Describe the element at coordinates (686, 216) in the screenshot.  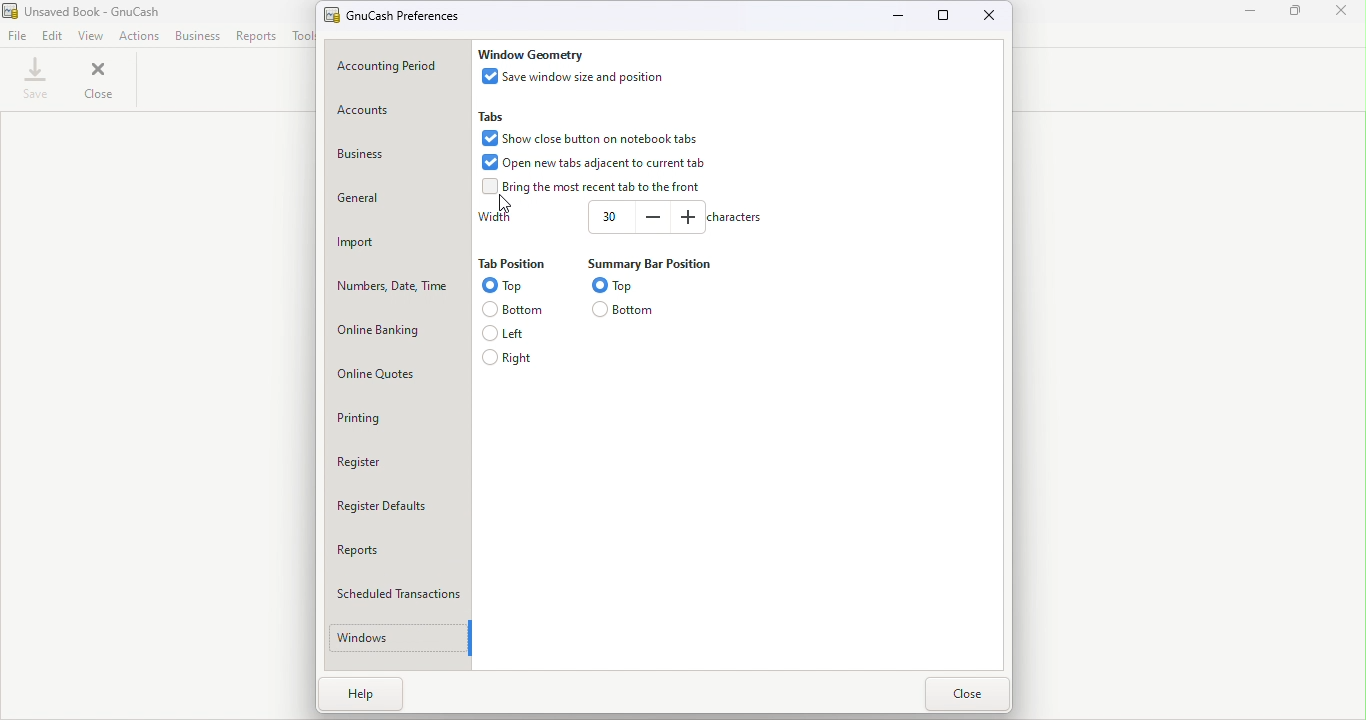
I see `Increase` at that location.